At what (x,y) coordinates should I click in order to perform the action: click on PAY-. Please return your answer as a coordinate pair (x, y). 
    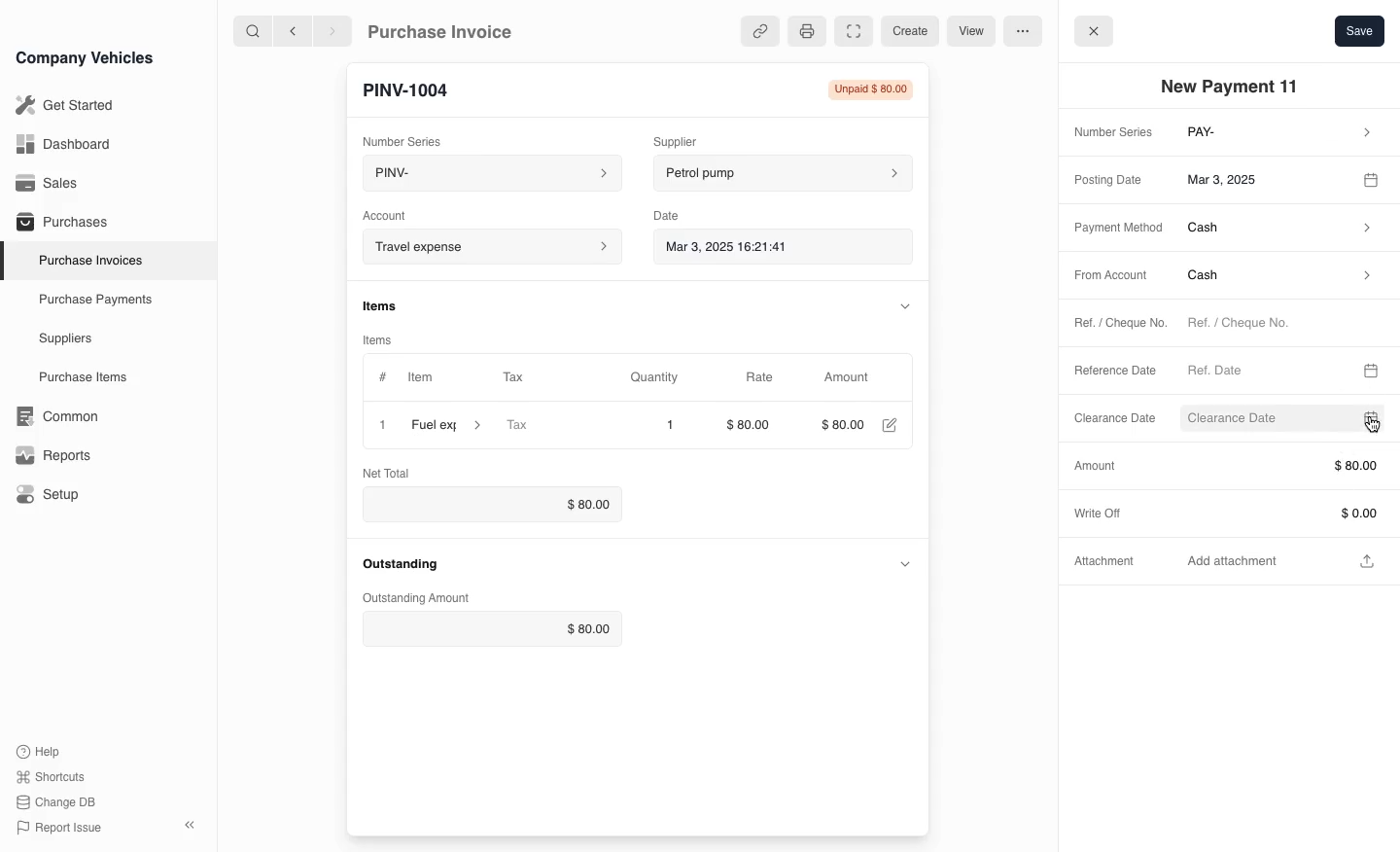
    Looking at the image, I should click on (1281, 134).